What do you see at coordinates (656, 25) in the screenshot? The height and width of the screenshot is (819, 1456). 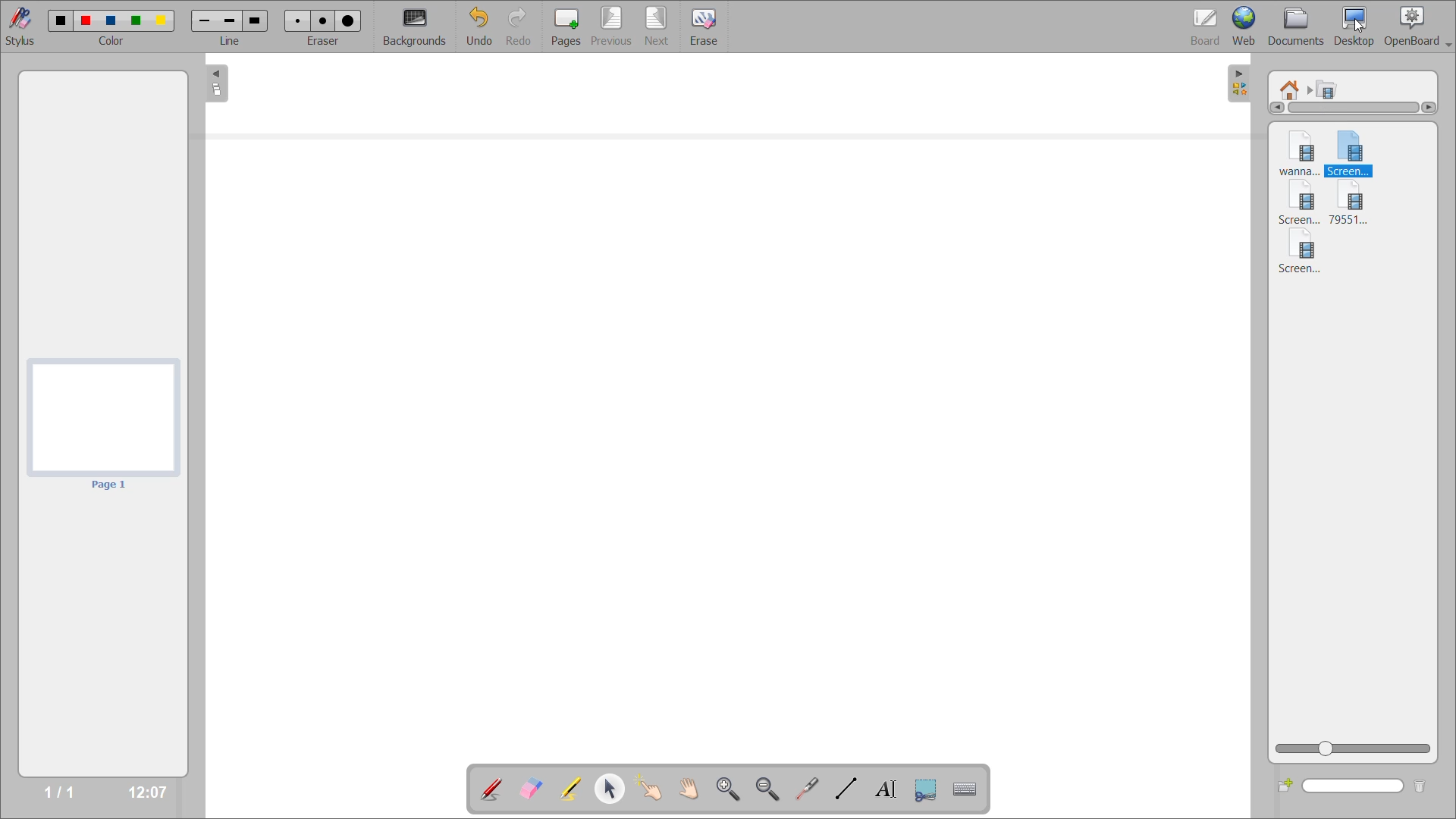 I see `next` at bounding box center [656, 25].